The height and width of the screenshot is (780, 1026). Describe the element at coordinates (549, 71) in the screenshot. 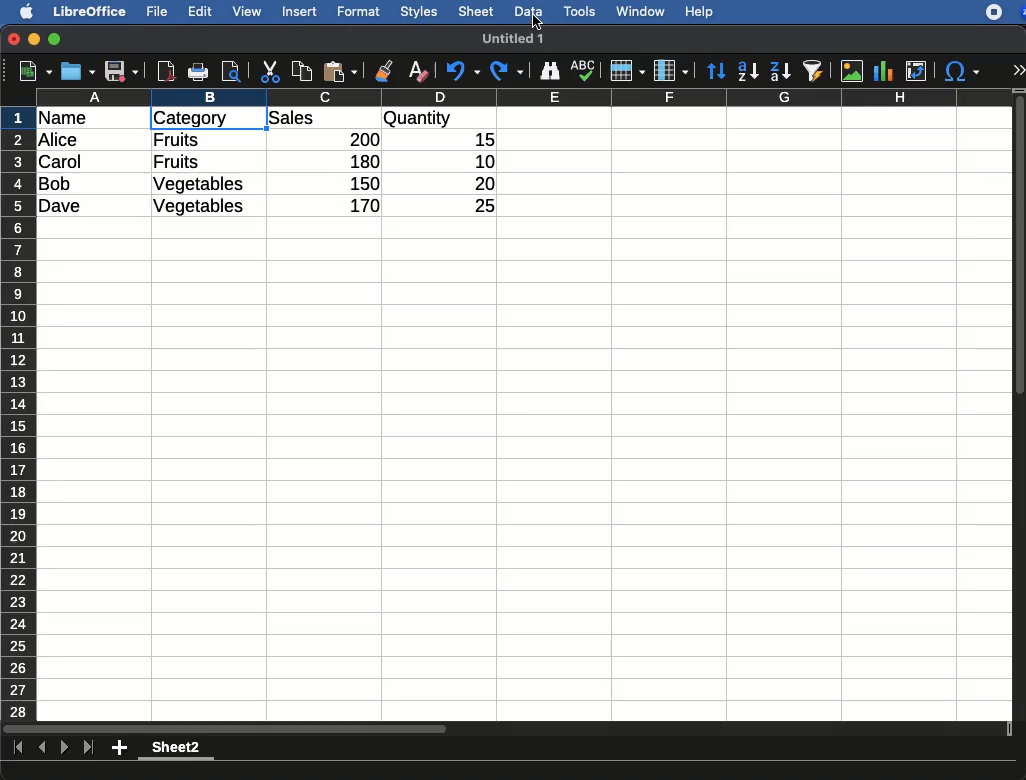

I see `finder` at that location.